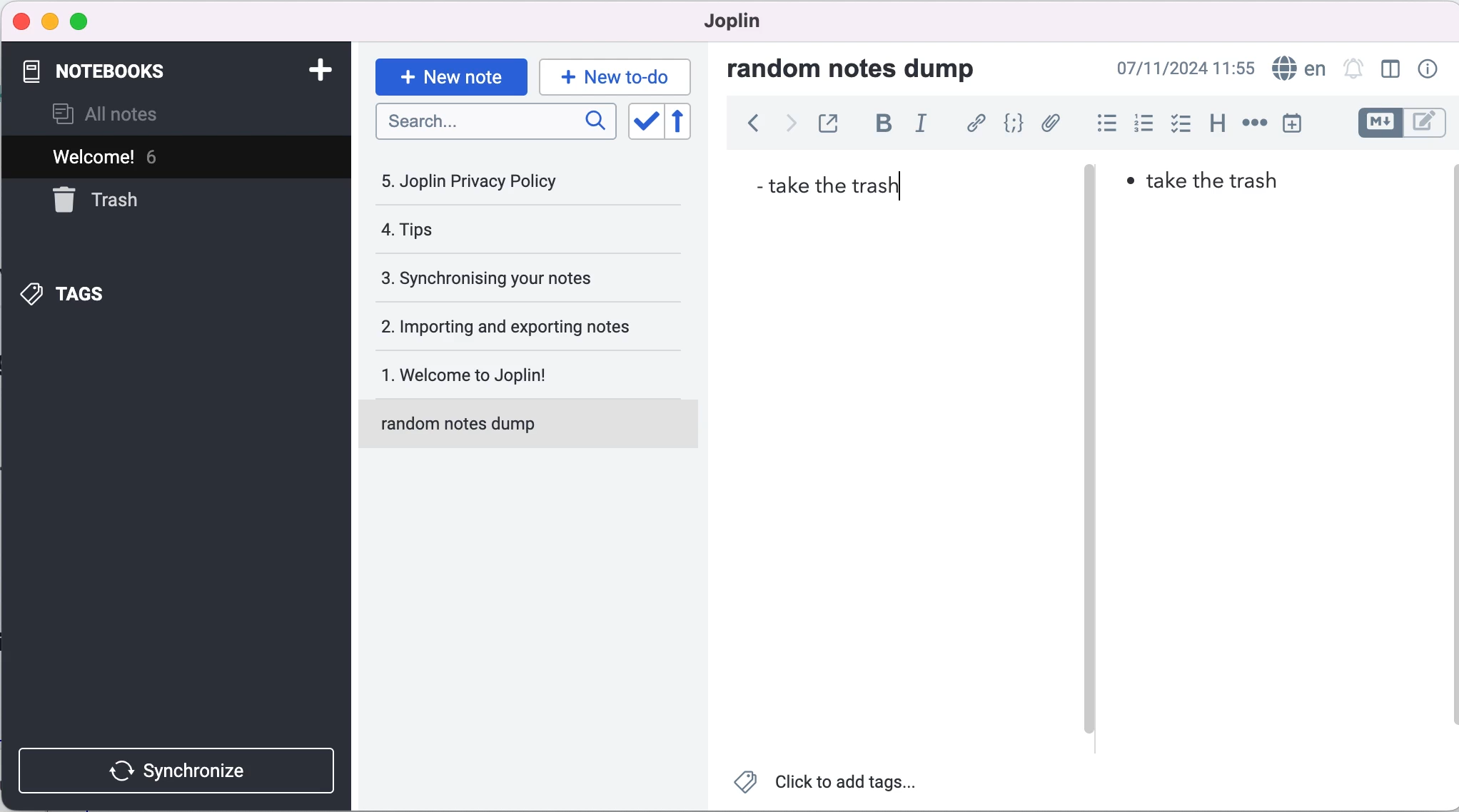 The width and height of the screenshot is (1459, 812). Describe the element at coordinates (617, 76) in the screenshot. I see `new to-do` at that location.